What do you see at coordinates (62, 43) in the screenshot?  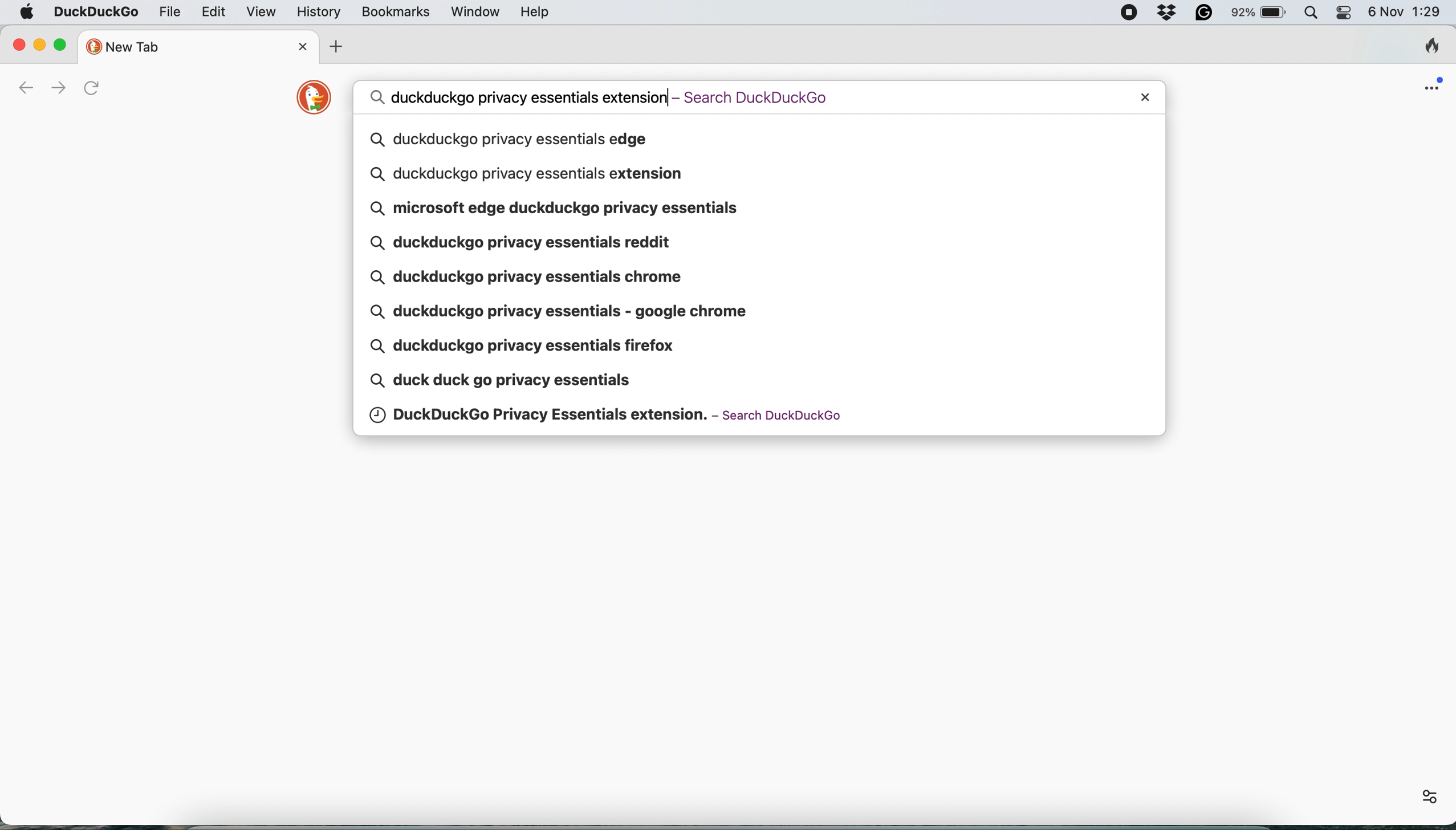 I see `maximise` at bounding box center [62, 43].